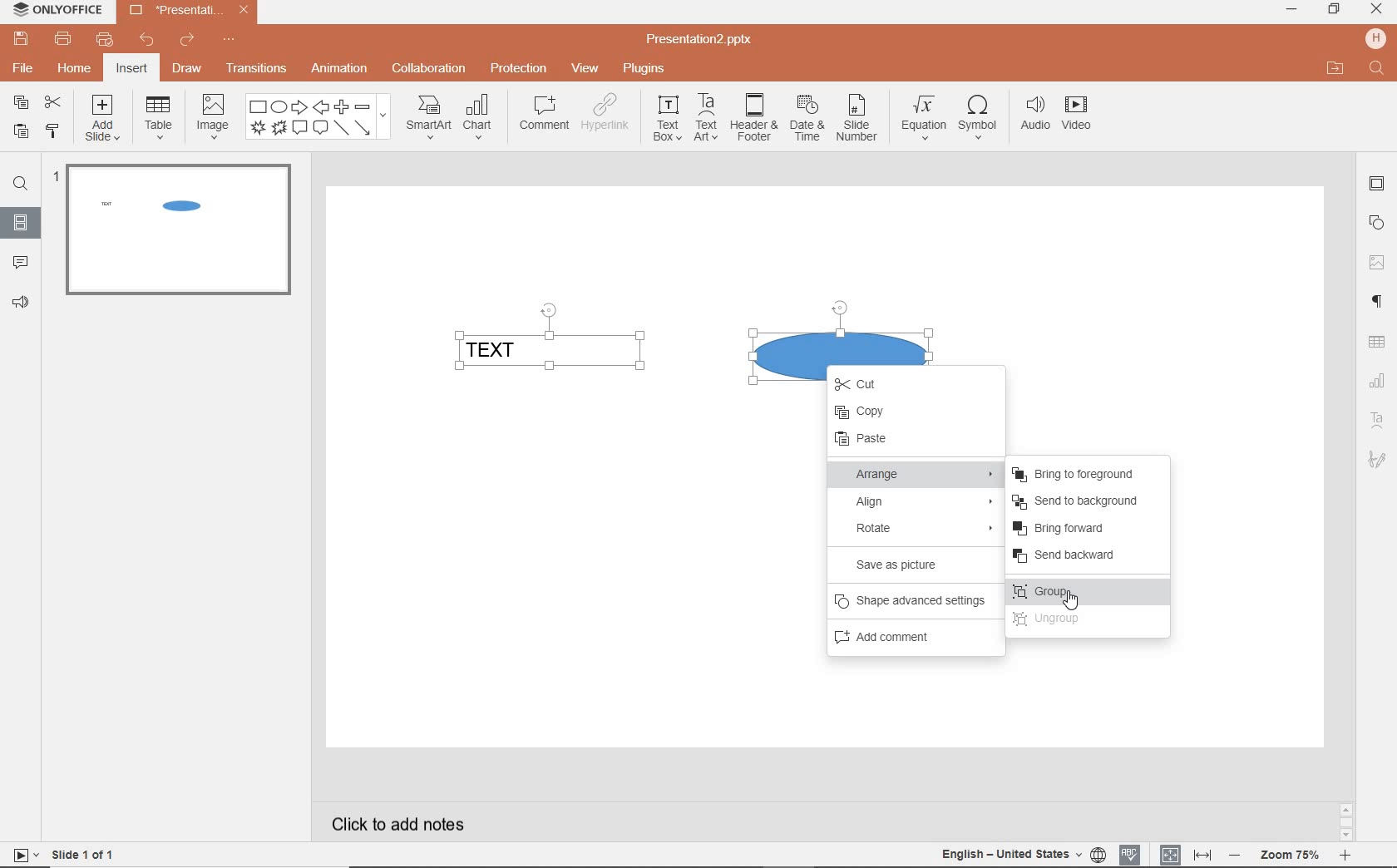  What do you see at coordinates (1079, 501) in the screenshot?
I see `SEND TO BACKGROUND` at bounding box center [1079, 501].